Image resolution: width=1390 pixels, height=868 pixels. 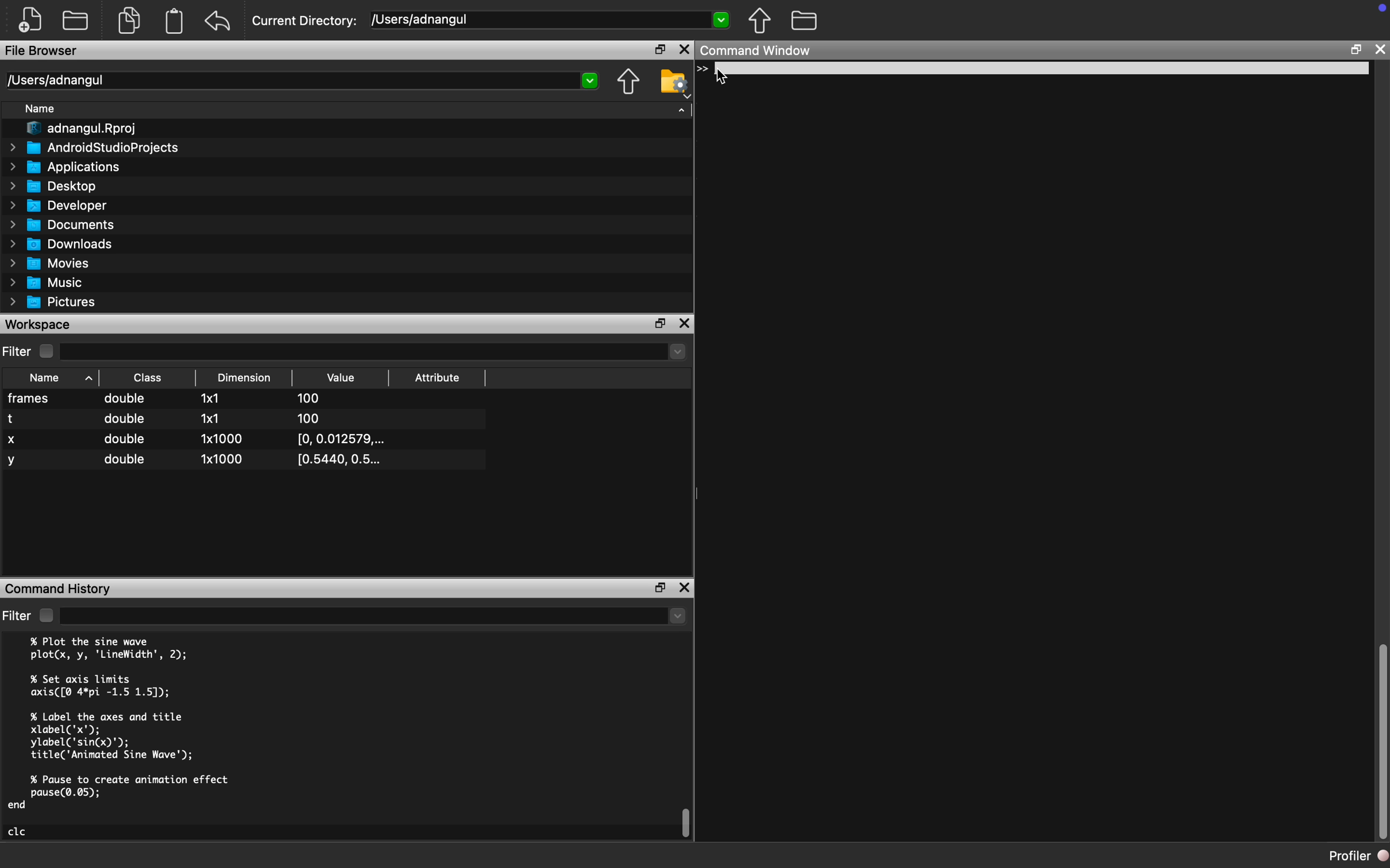 What do you see at coordinates (80, 129) in the screenshot?
I see `adnangul.Rproj` at bounding box center [80, 129].